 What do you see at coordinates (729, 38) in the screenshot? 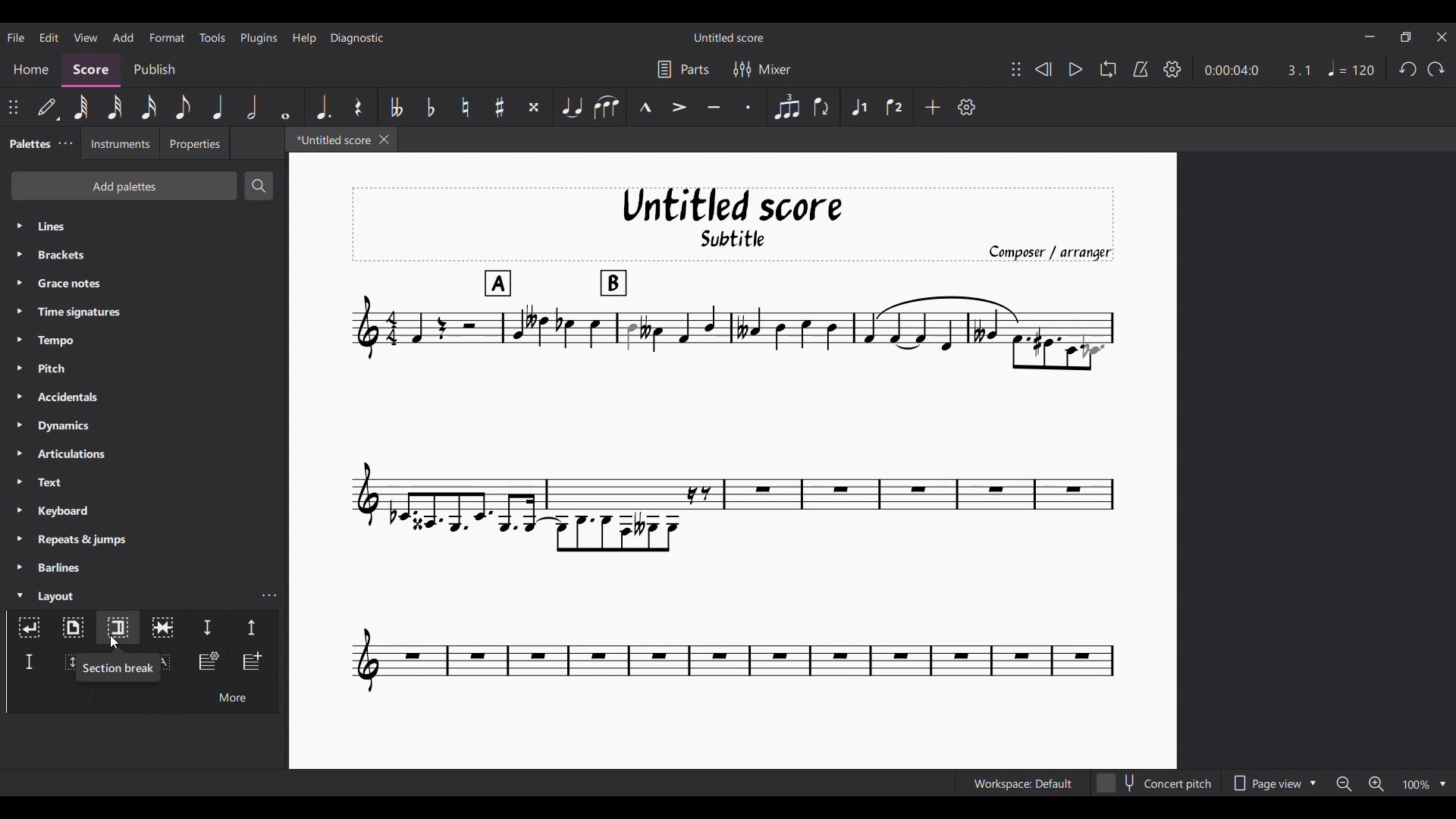
I see `Untitled score` at bounding box center [729, 38].